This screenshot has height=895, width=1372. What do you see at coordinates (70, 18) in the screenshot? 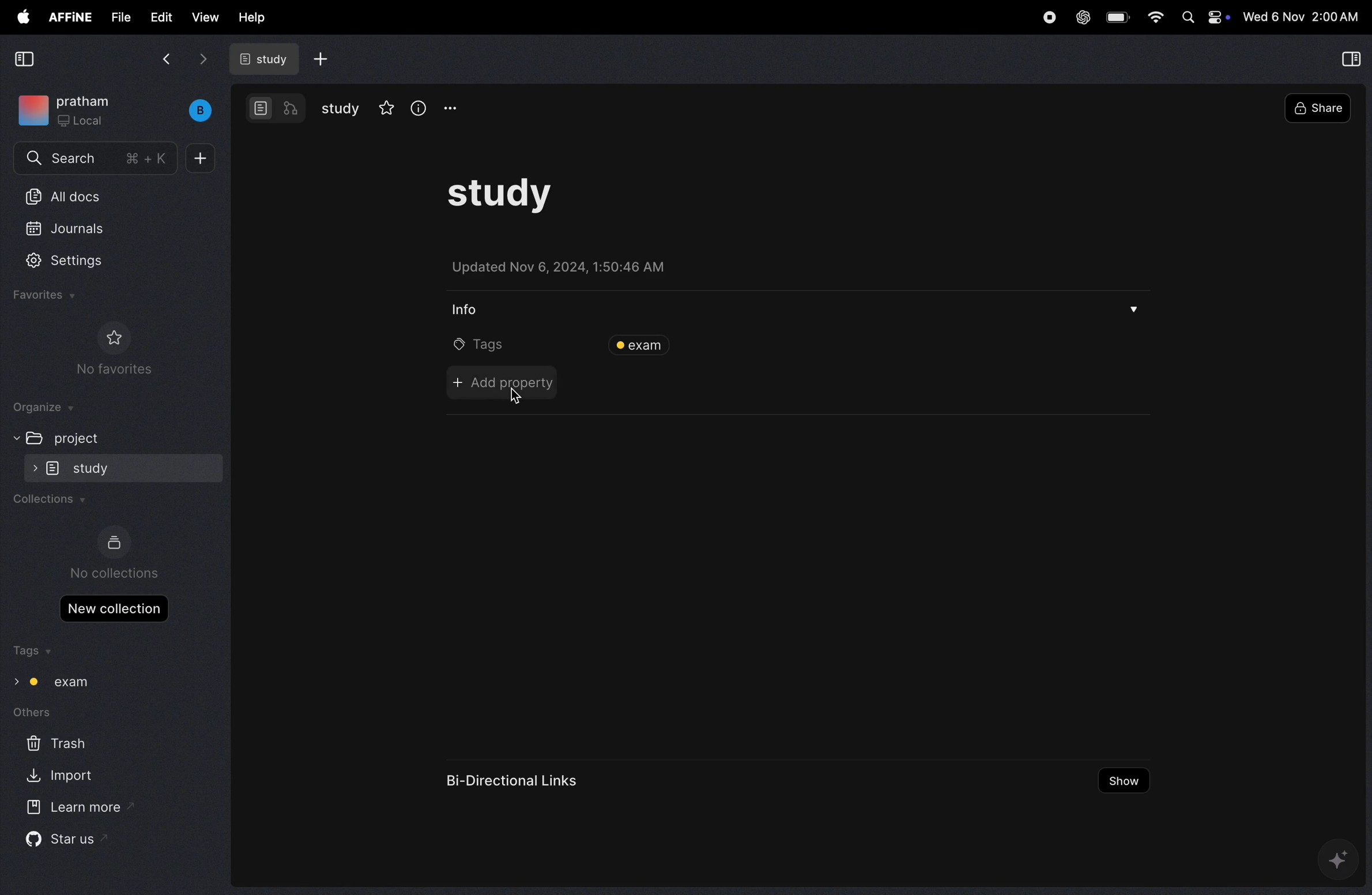
I see `affine` at bounding box center [70, 18].